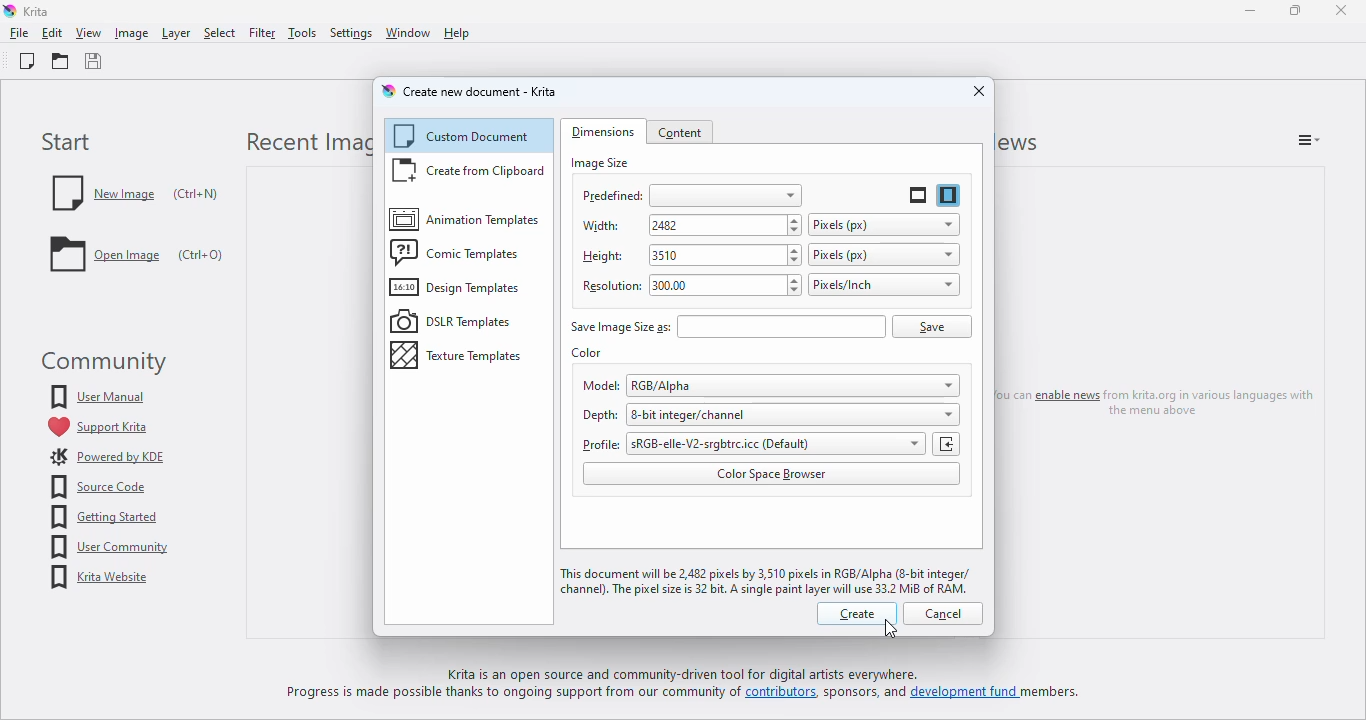 This screenshot has height=720, width=1366. Describe the element at coordinates (791, 293) in the screenshot. I see `Decrease` at that location.